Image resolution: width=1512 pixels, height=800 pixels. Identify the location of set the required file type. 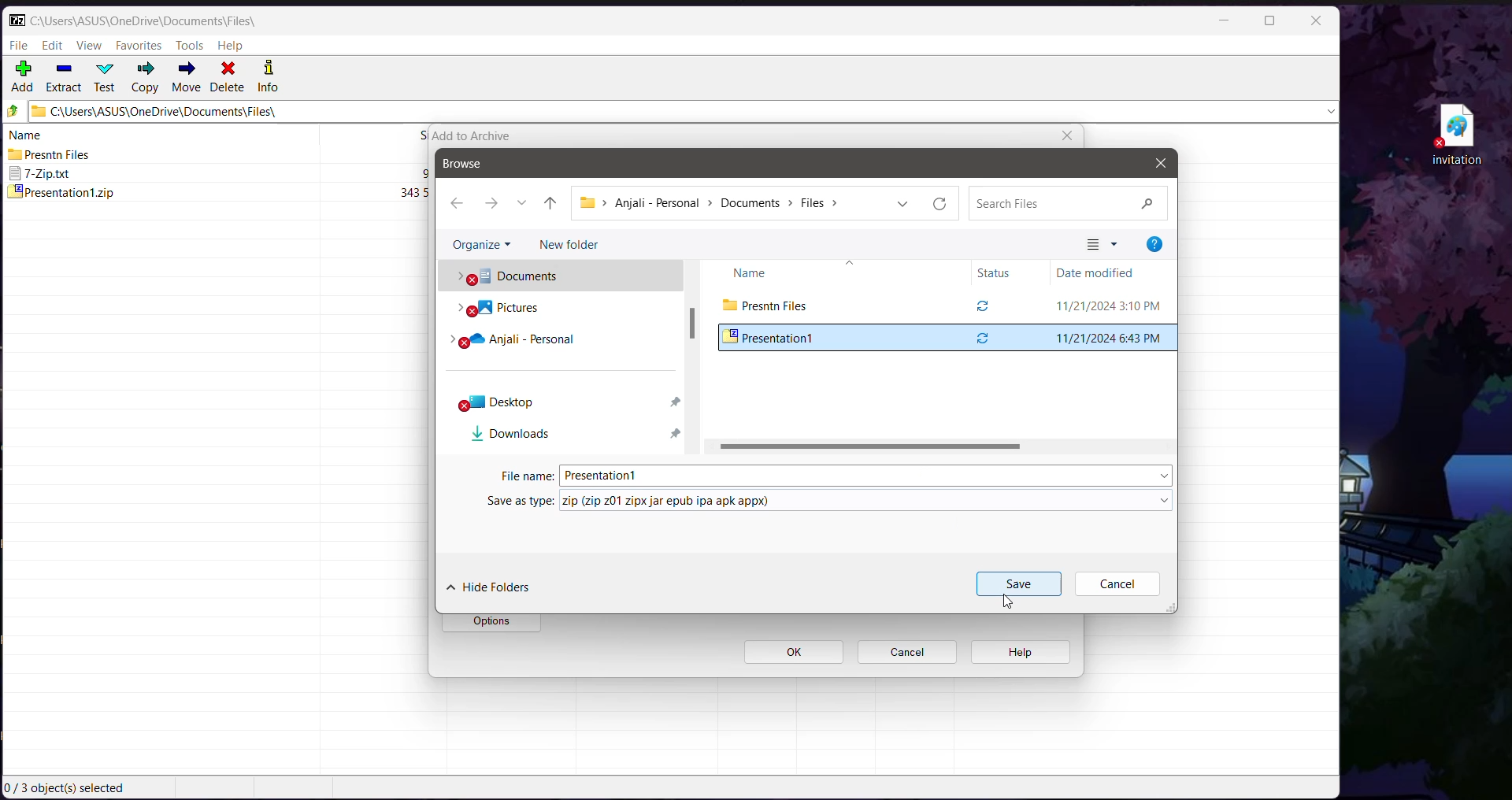
(865, 500).